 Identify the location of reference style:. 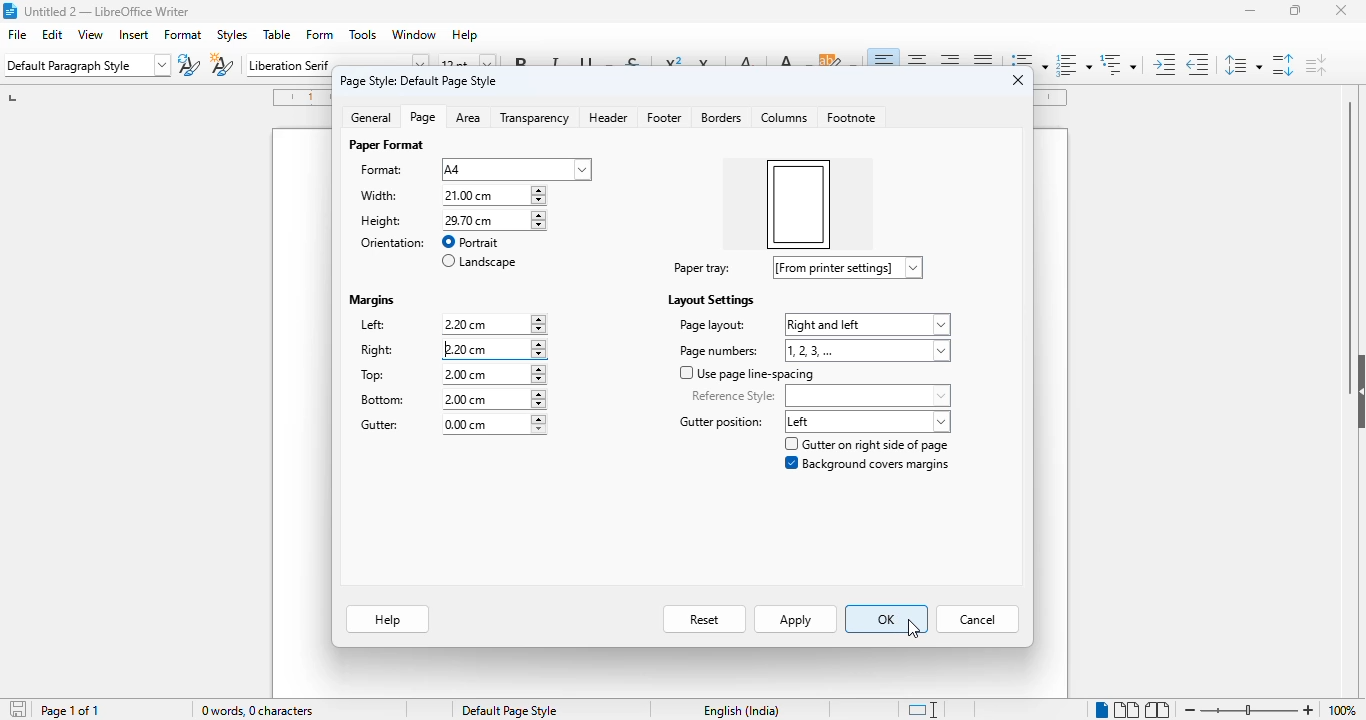
(728, 397).